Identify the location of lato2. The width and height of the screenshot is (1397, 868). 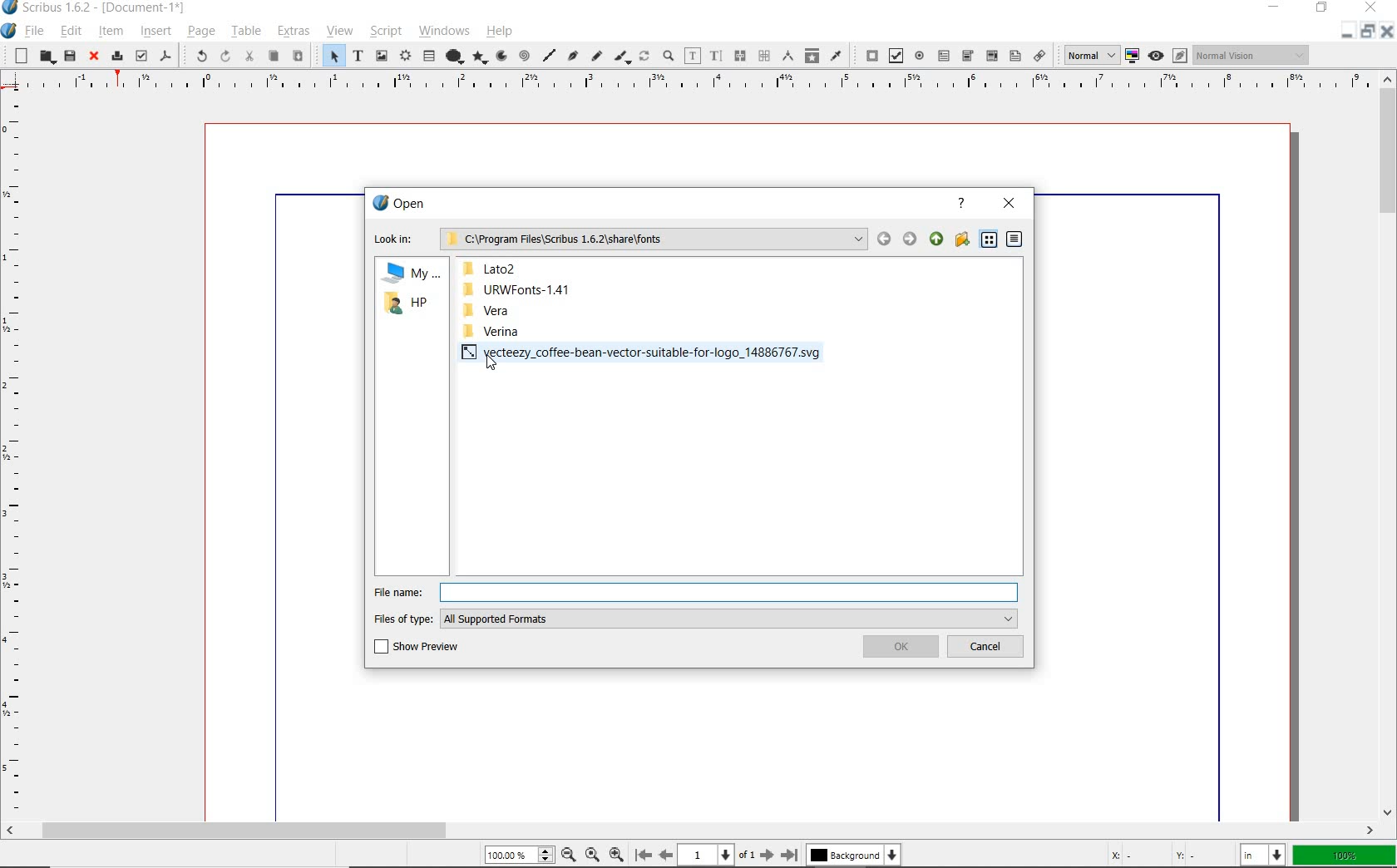
(506, 269).